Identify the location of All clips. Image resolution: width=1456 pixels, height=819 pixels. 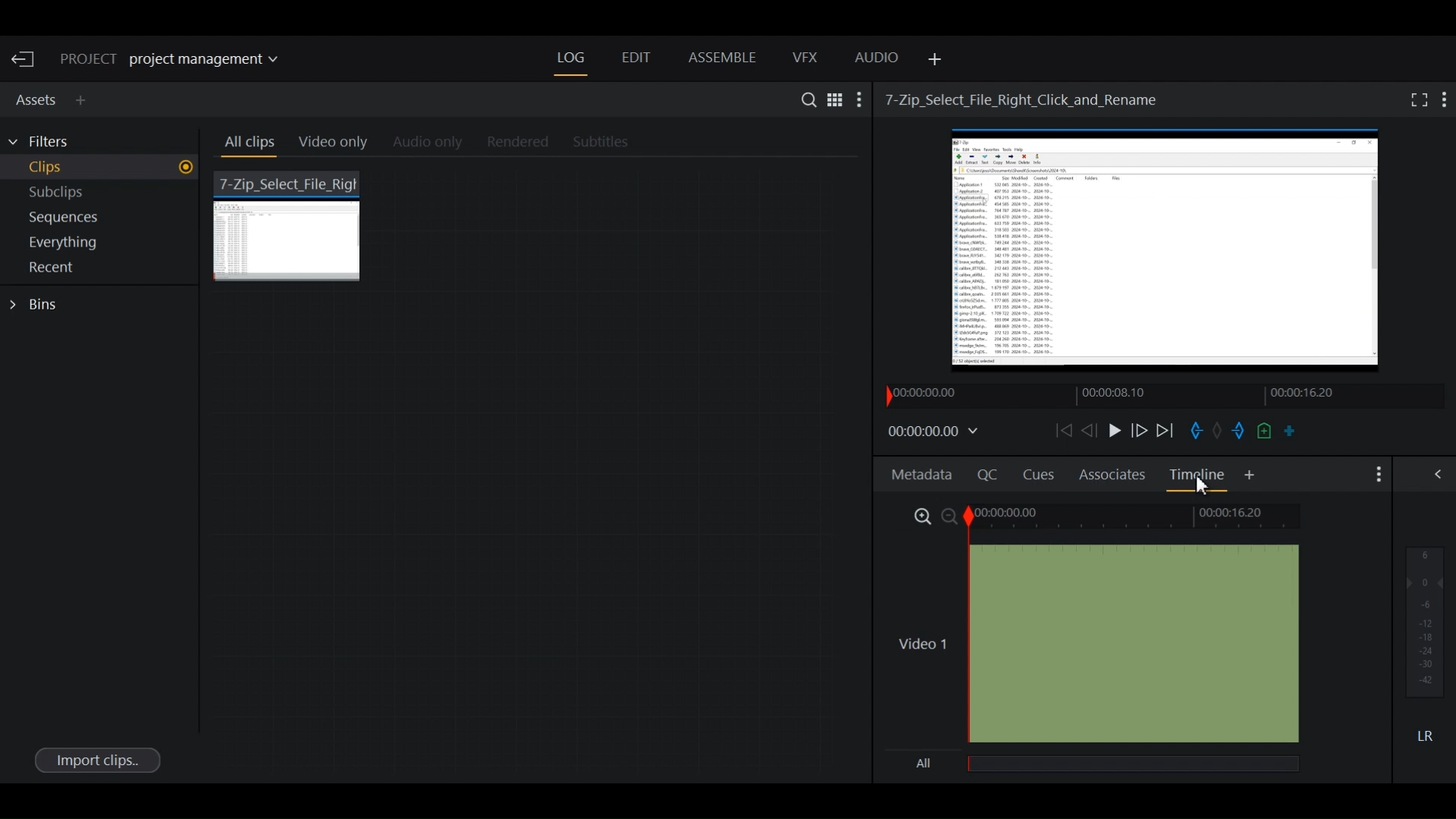
(247, 145).